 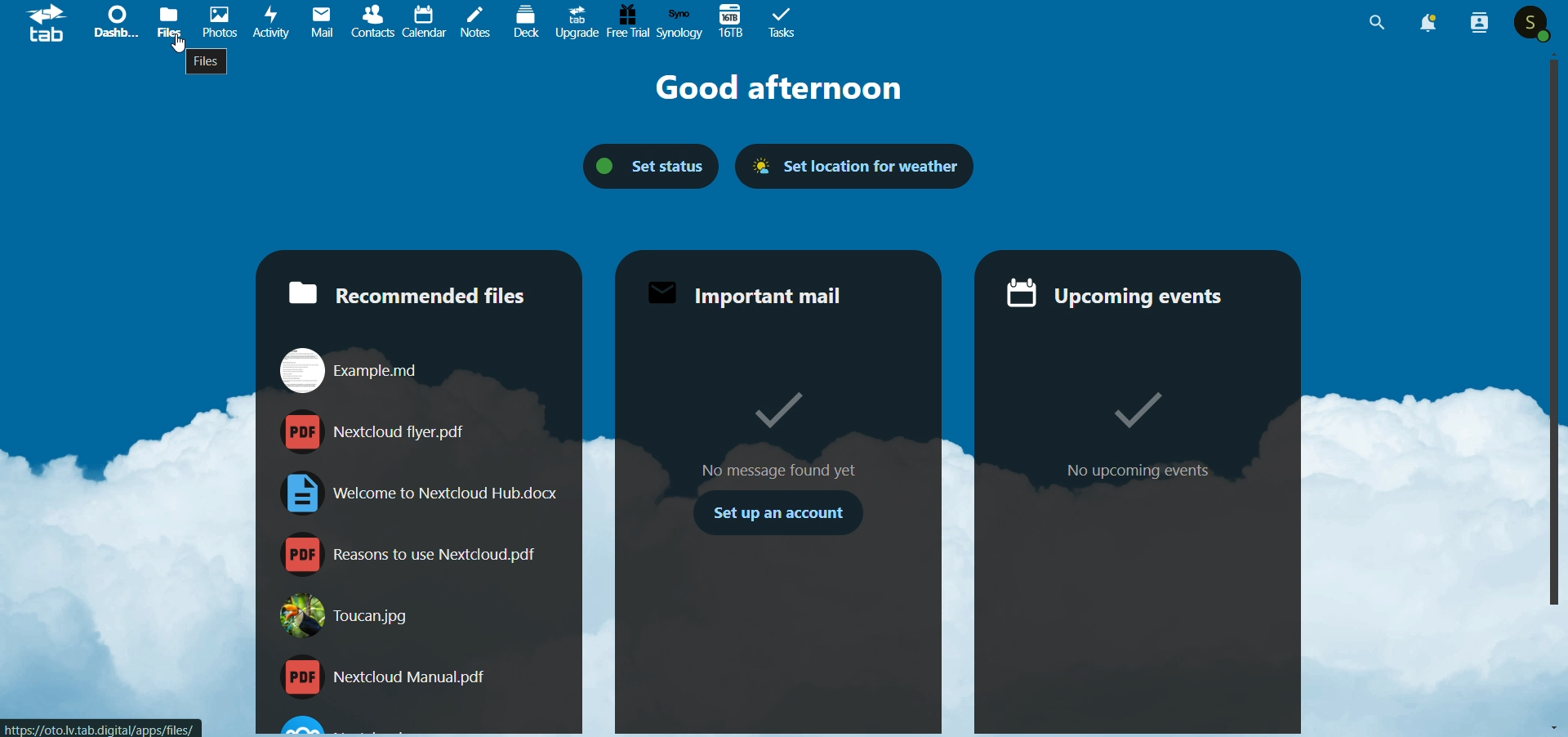 What do you see at coordinates (406, 553) in the screenshot?
I see `reasons to use` at bounding box center [406, 553].